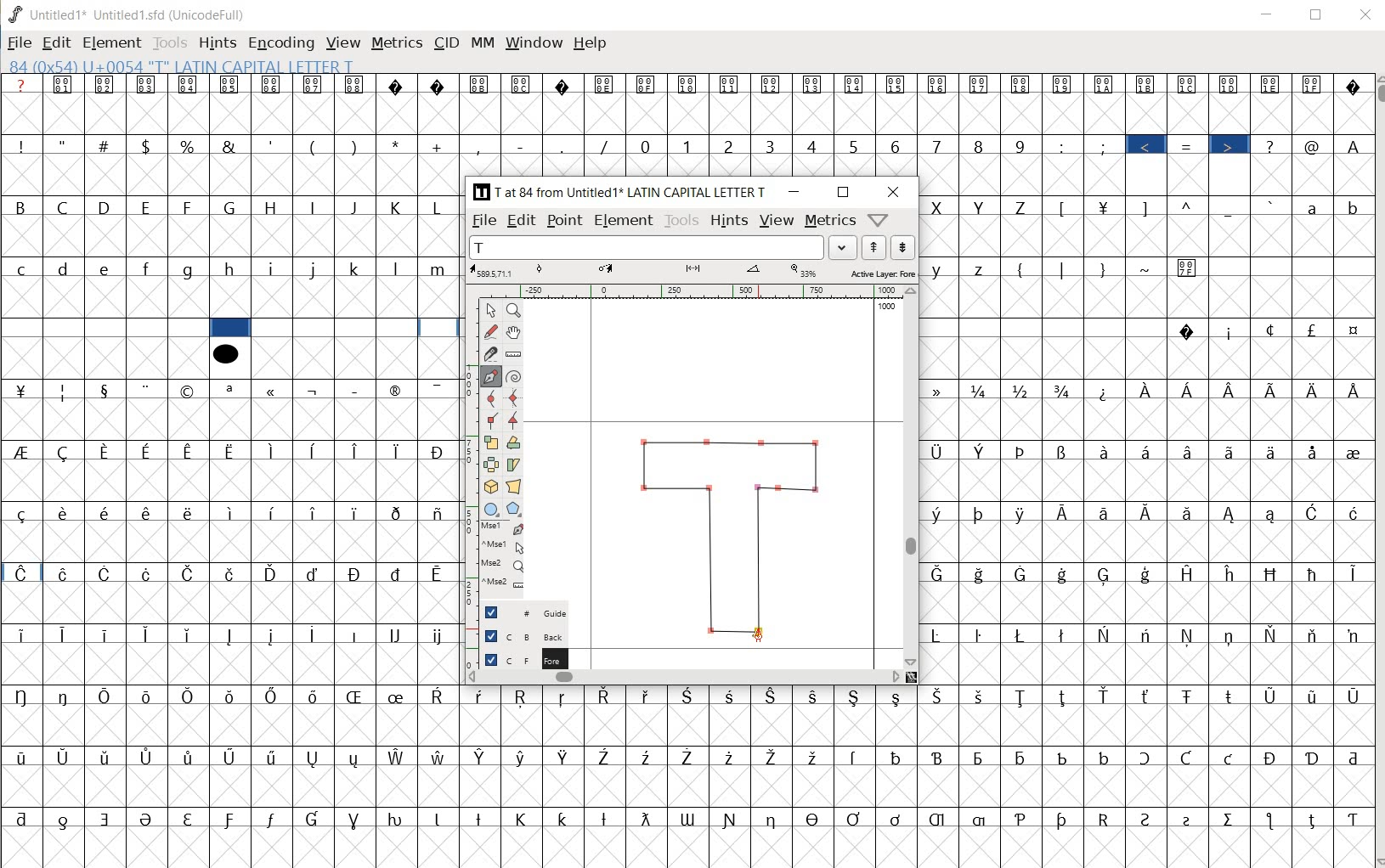  What do you see at coordinates (1313, 636) in the screenshot?
I see `Symbol` at bounding box center [1313, 636].